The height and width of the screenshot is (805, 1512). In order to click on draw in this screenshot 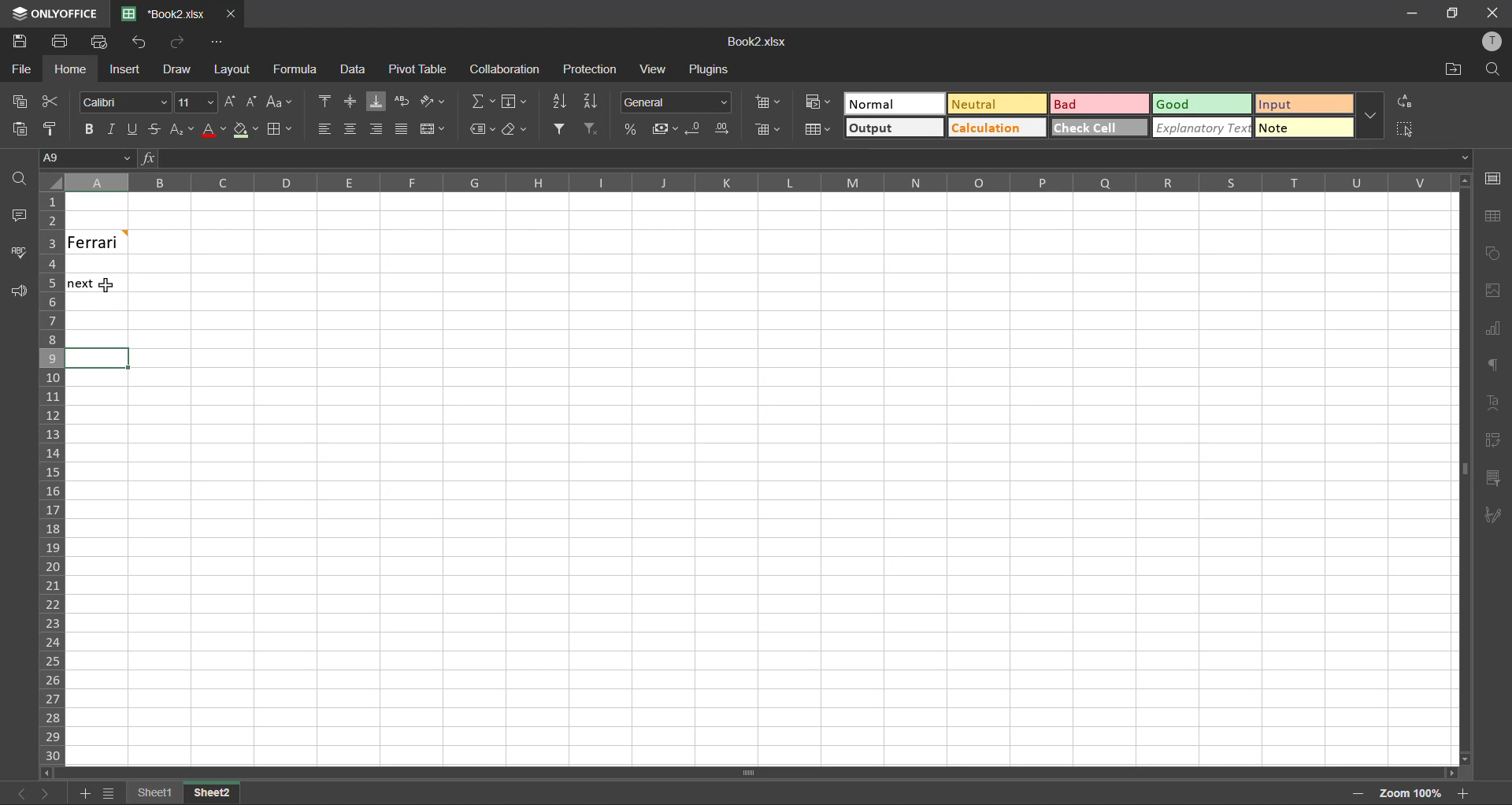, I will do `click(177, 72)`.